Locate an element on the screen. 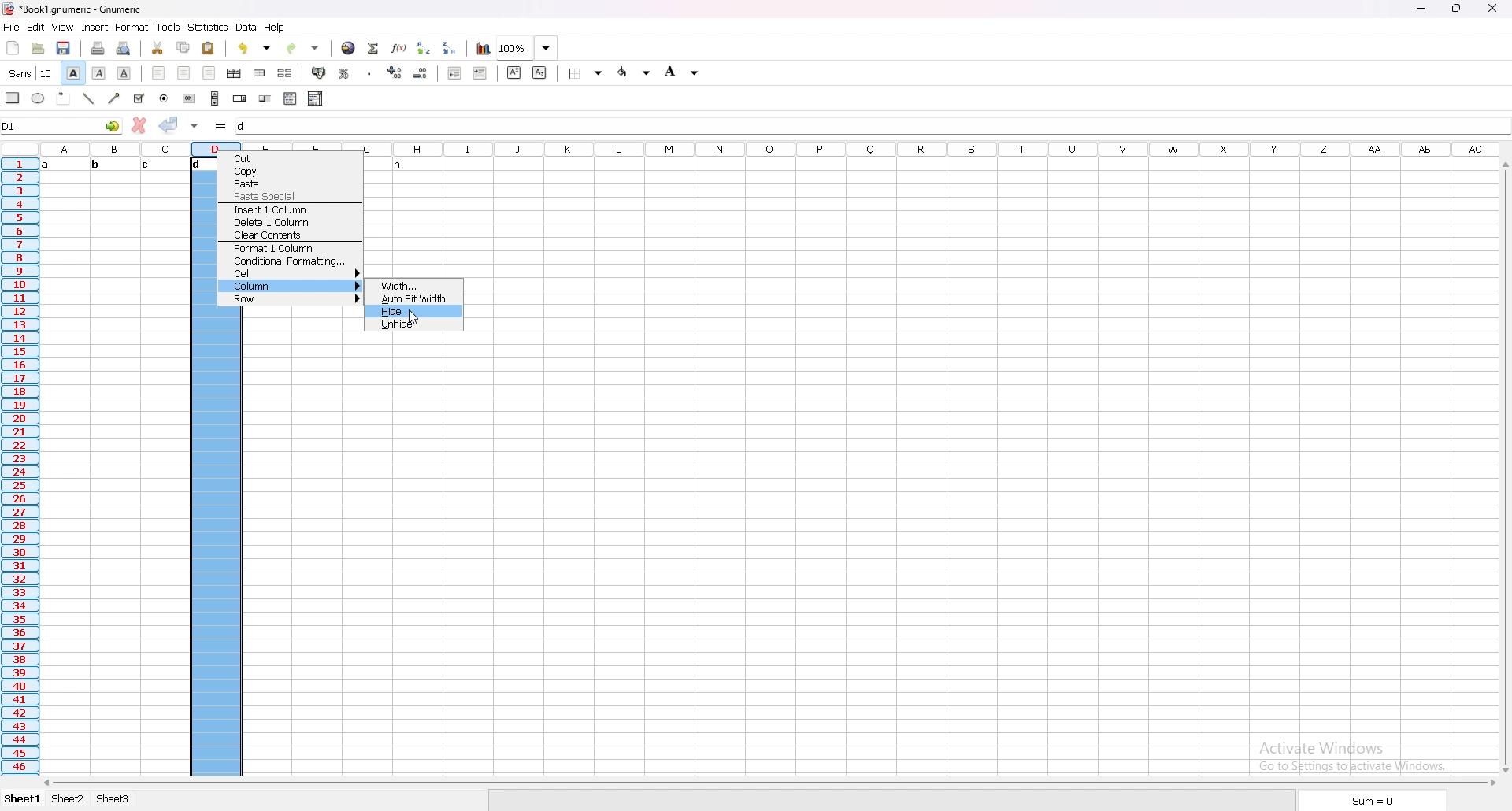 Image resolution: width=1512 pixels, height=811 pixels. scroll bar is located at coordinates (216, 98).